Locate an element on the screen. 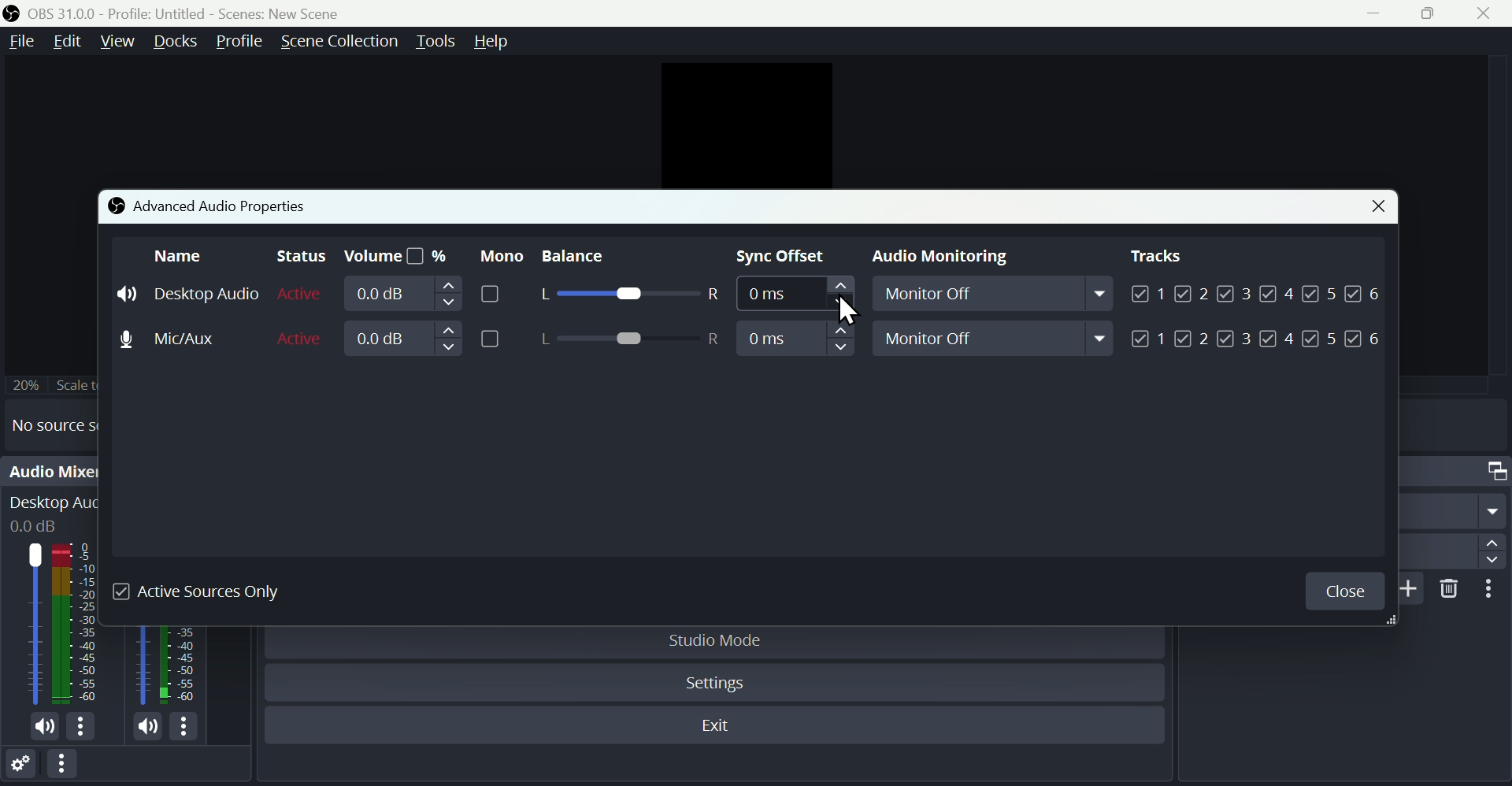 The width and height of the screenshot is (1512, 786). Balance slider is located at coordinates (628, 339).